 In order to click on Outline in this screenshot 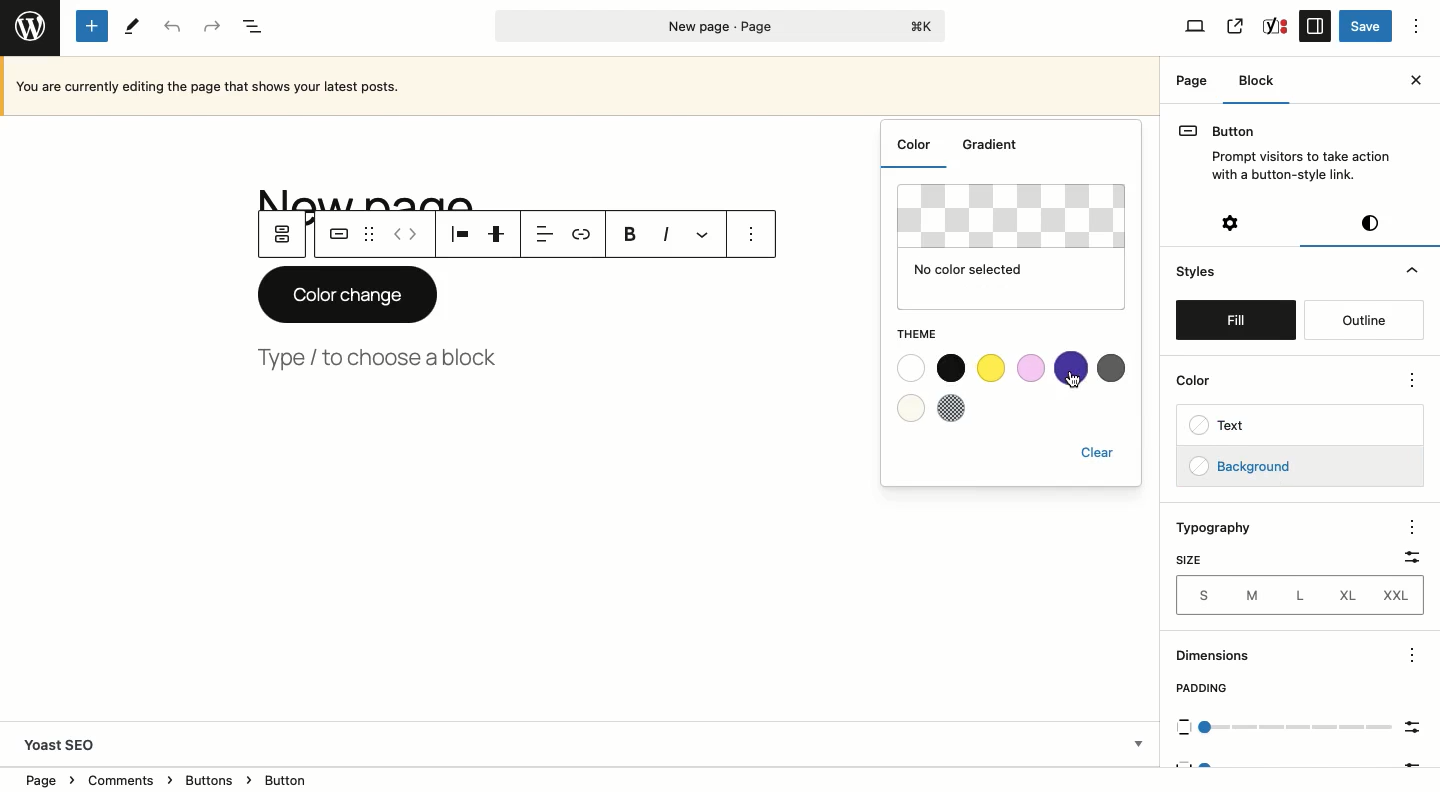, I will do `click(1367, 318)`.